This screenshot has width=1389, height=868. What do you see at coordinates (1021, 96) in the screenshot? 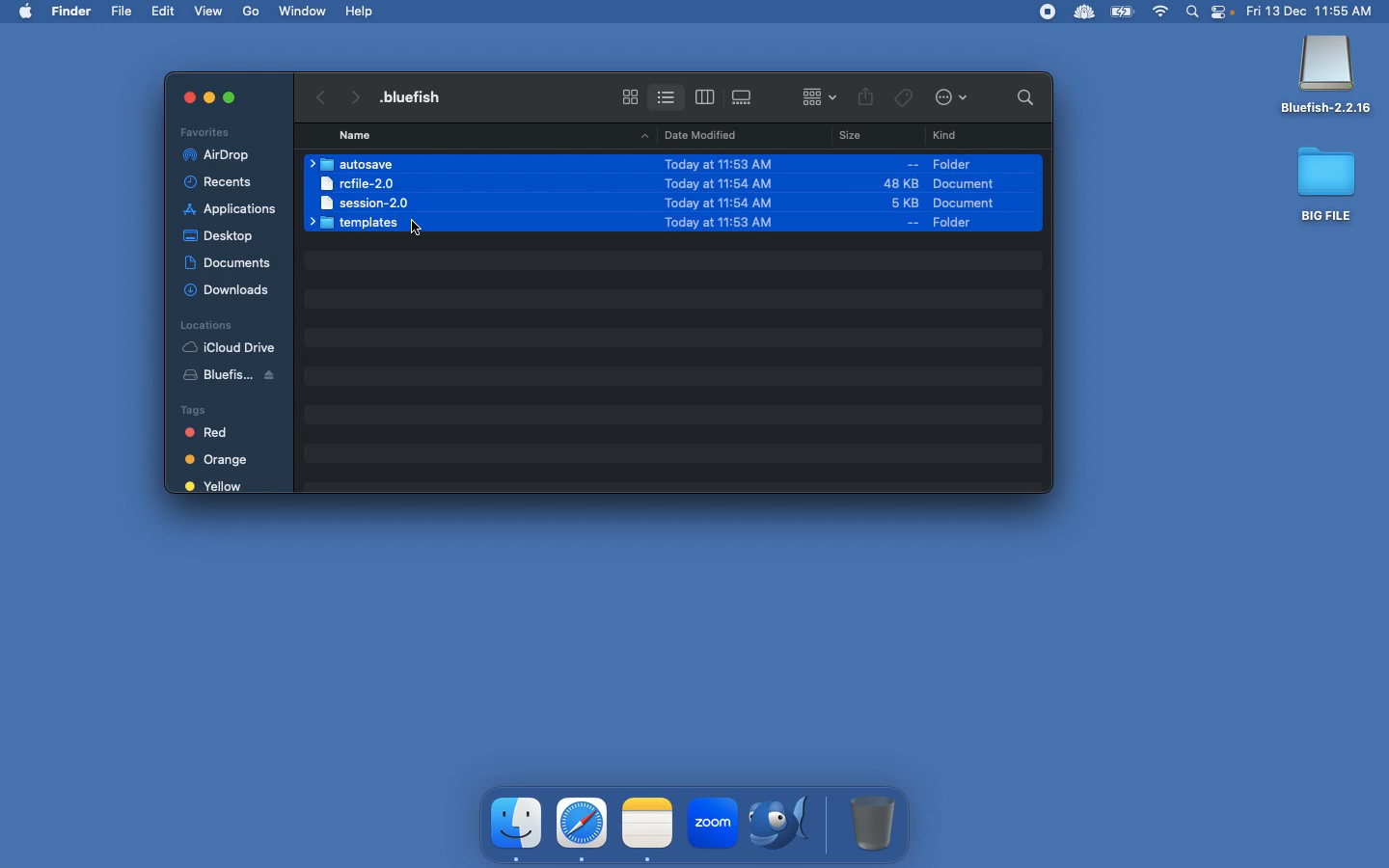
I see `search` at bounding box center [1021, 96].